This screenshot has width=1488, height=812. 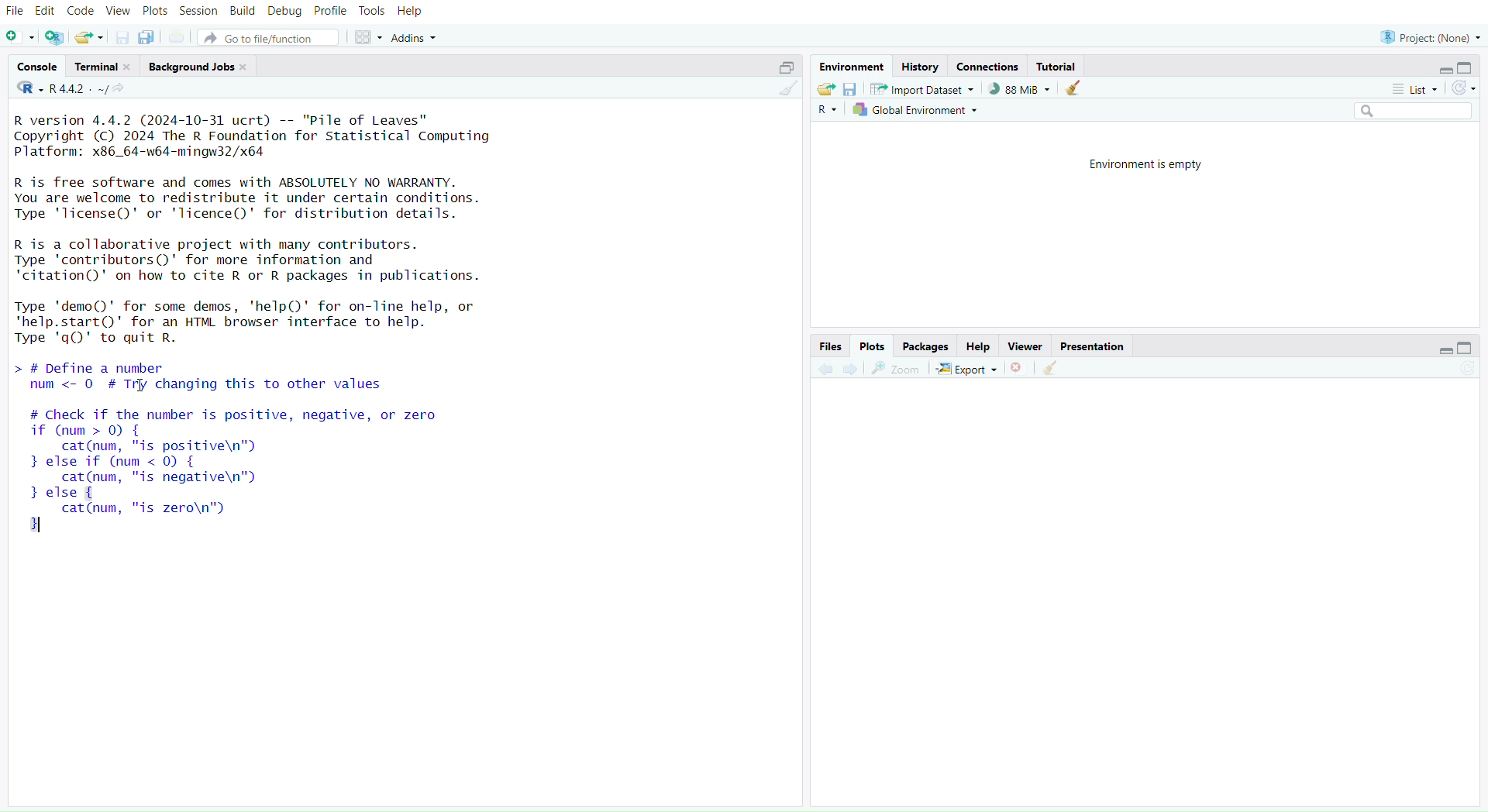 I want to click on cursor, so click(x=140, y=387).